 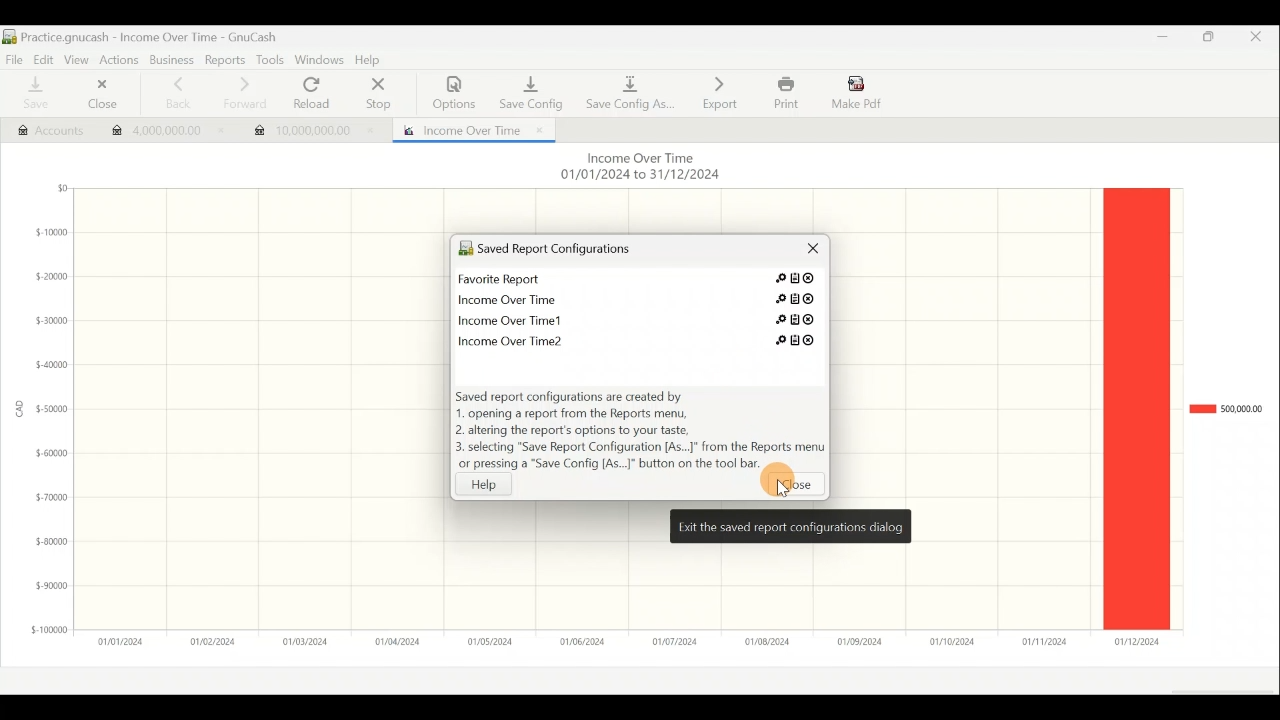 What do you see at coordinates (227, 60) in the screenshot?
I see `Reports` at bounding box center [227, 60].